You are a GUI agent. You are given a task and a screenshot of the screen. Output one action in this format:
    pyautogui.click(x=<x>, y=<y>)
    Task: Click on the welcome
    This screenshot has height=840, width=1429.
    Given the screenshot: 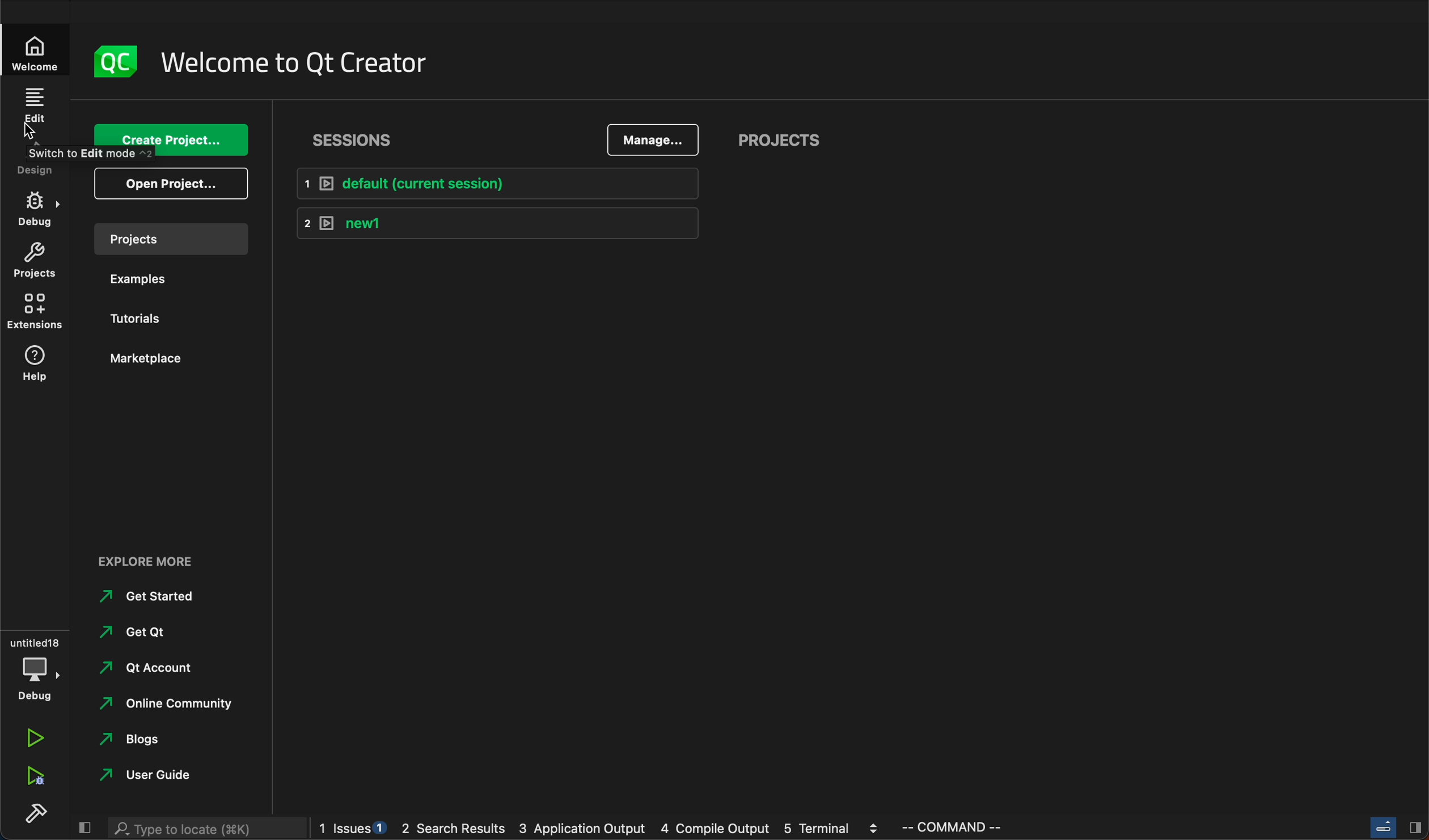 What is the action you would take?
    pyautogui.click(x=301, y=61)
    